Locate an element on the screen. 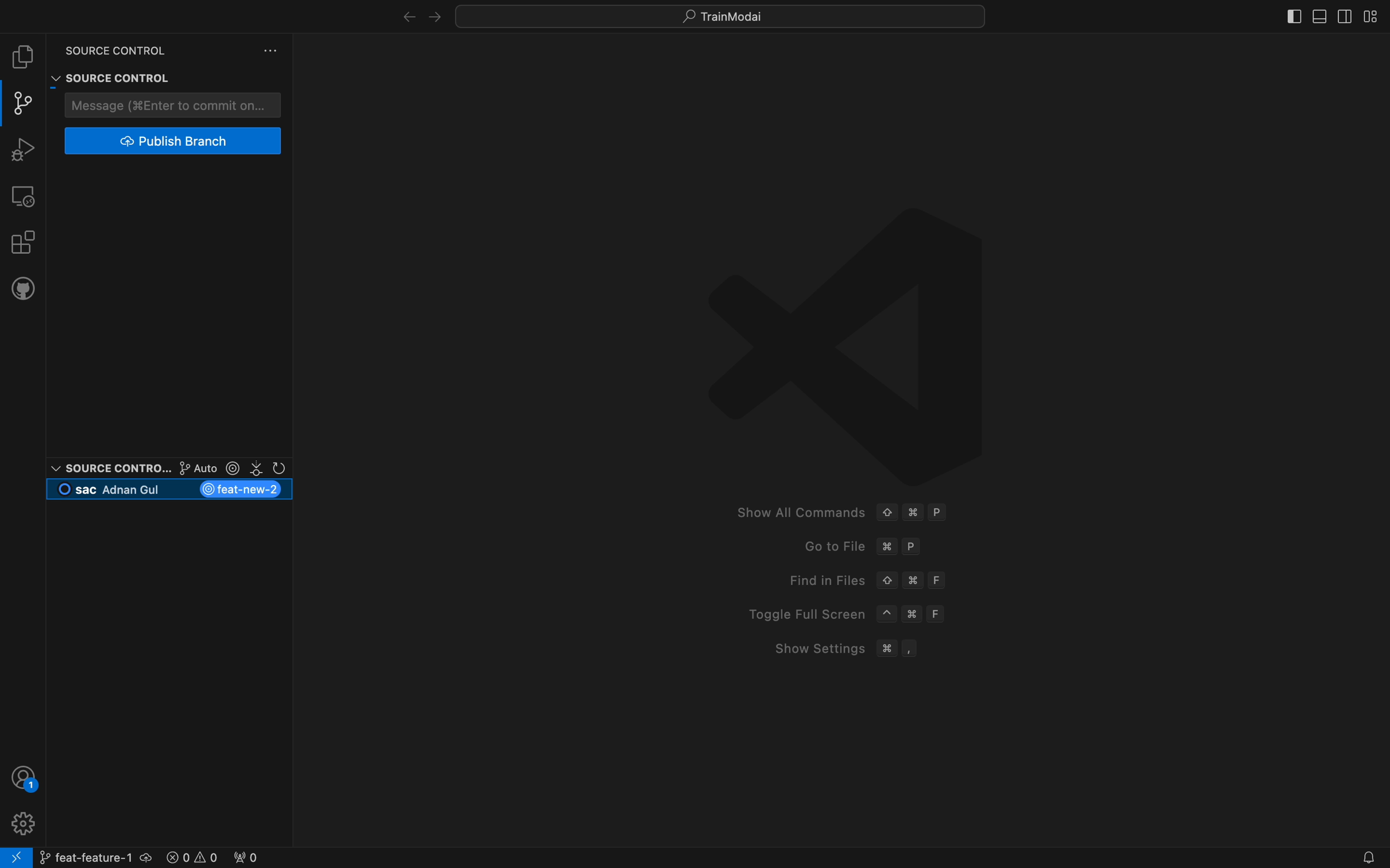 This screenshot has height=868, width=1390. , is located at coordinates (912, 648).